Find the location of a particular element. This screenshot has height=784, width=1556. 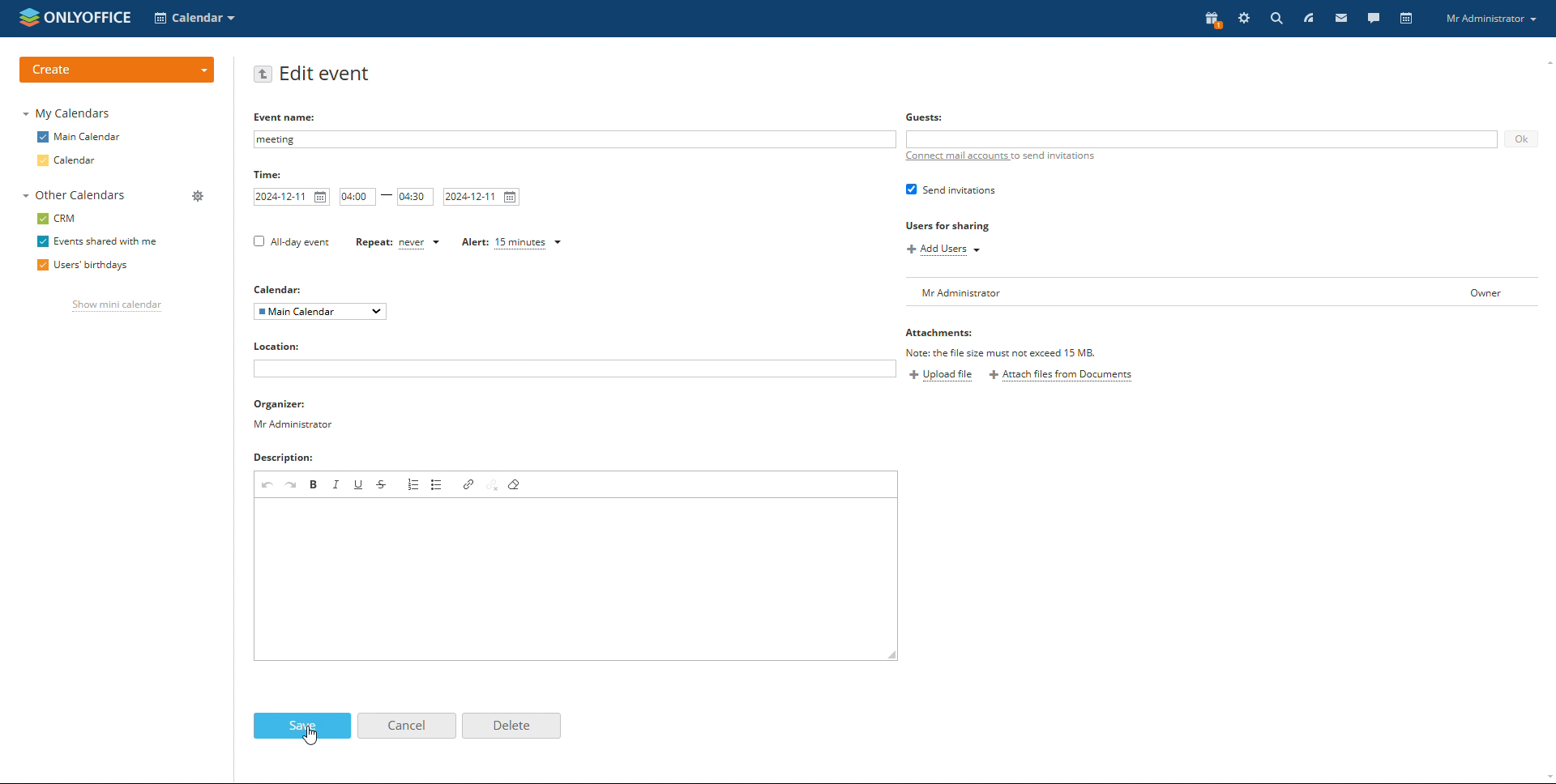

add users is located at coordinates (942, 250).